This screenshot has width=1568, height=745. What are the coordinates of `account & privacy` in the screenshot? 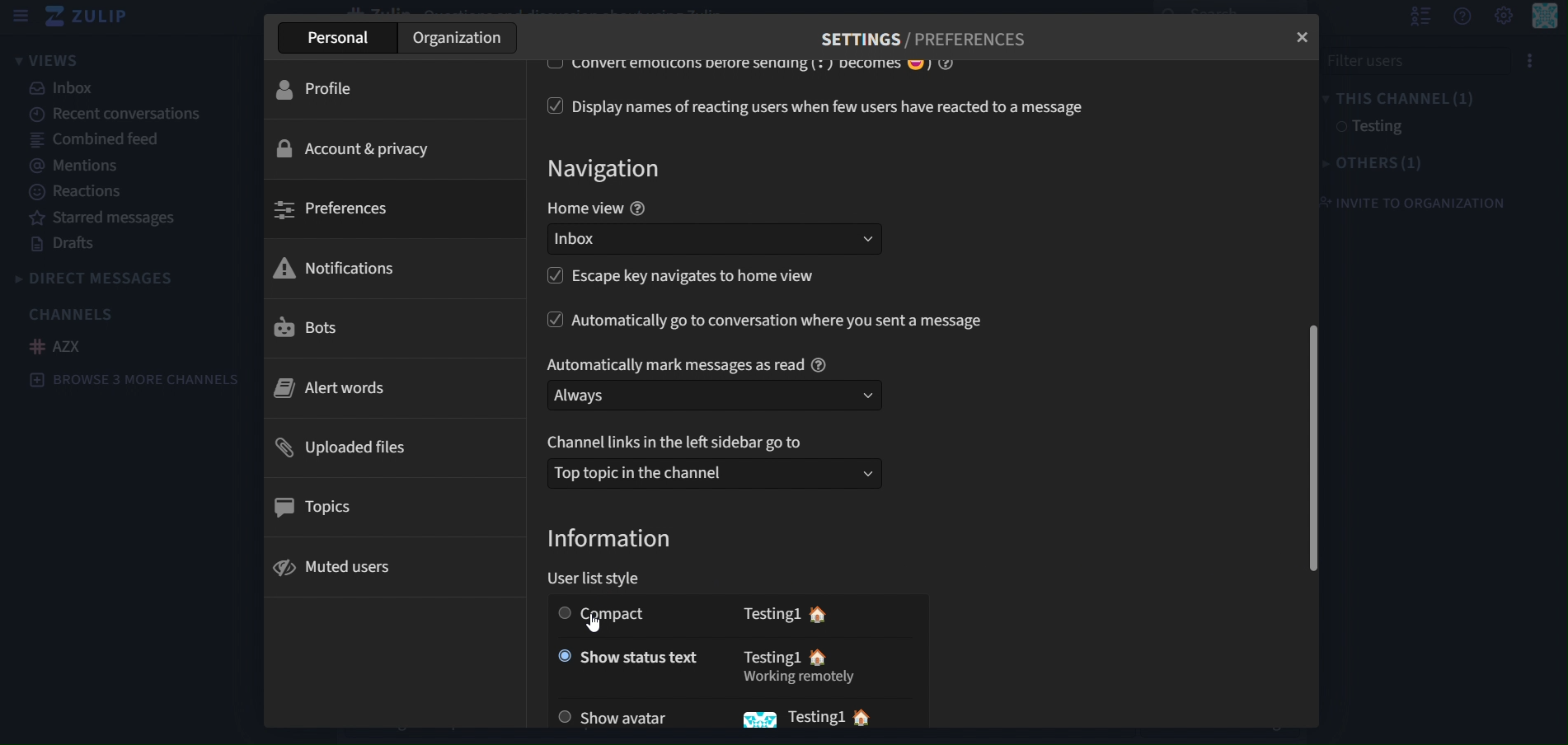 It's located at (358, 147).